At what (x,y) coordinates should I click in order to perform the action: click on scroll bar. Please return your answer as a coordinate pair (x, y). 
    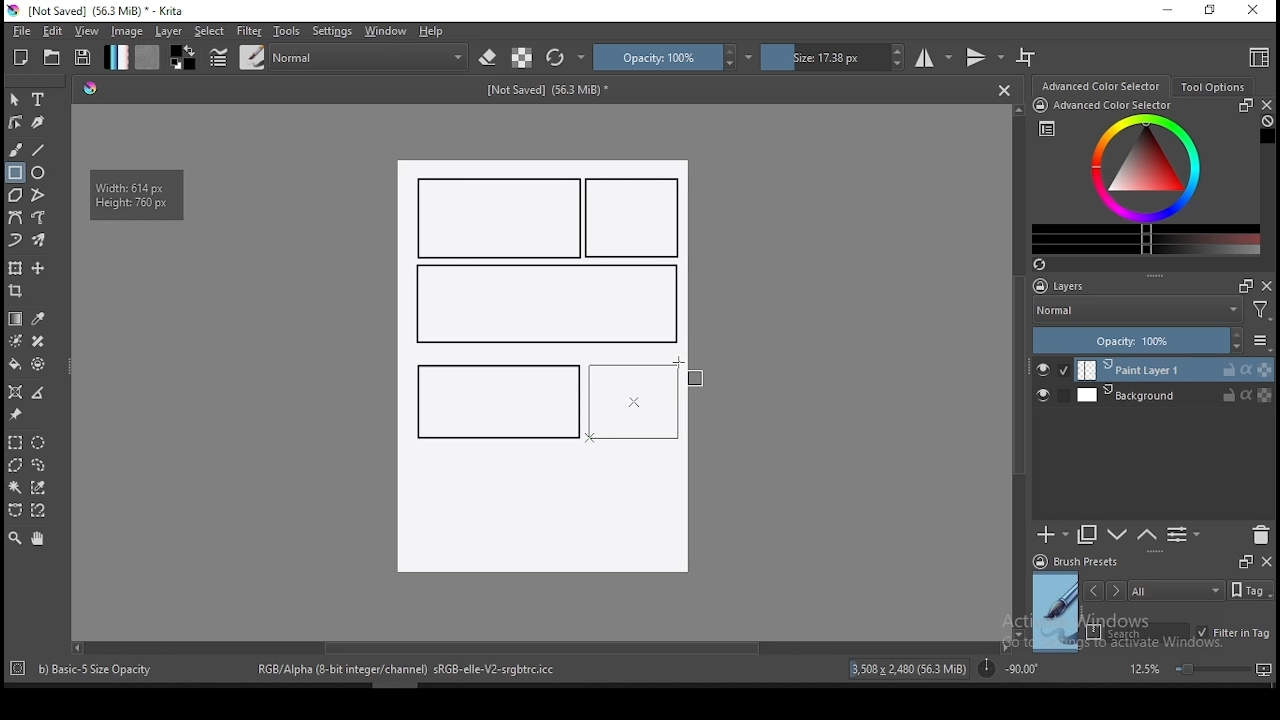
    Looking at the image, I should click on (1020, 370).